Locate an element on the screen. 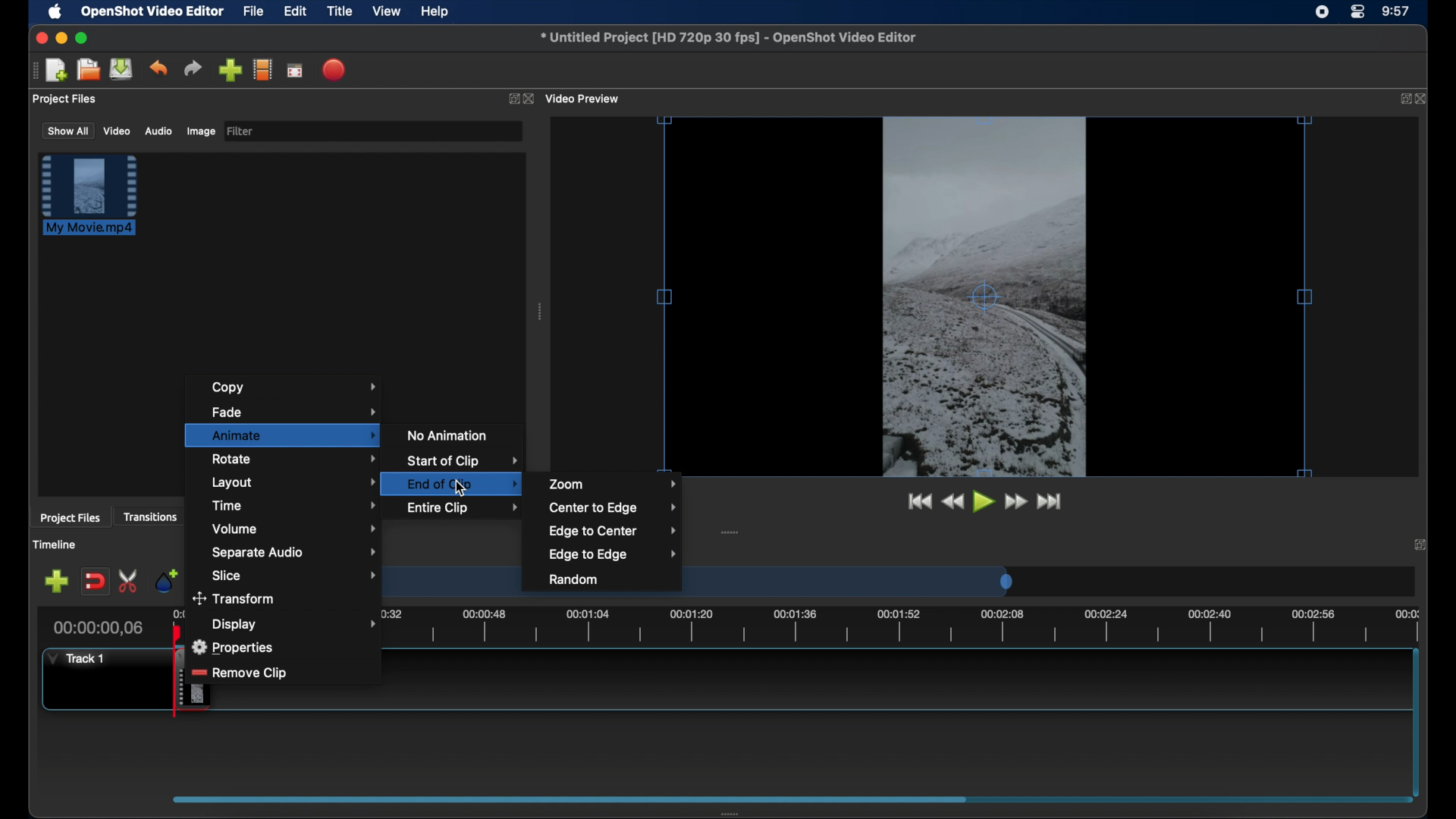 Image resolution: width=1456 pixels, height=819 pixels. video preview is located at coordinates (584, 99).